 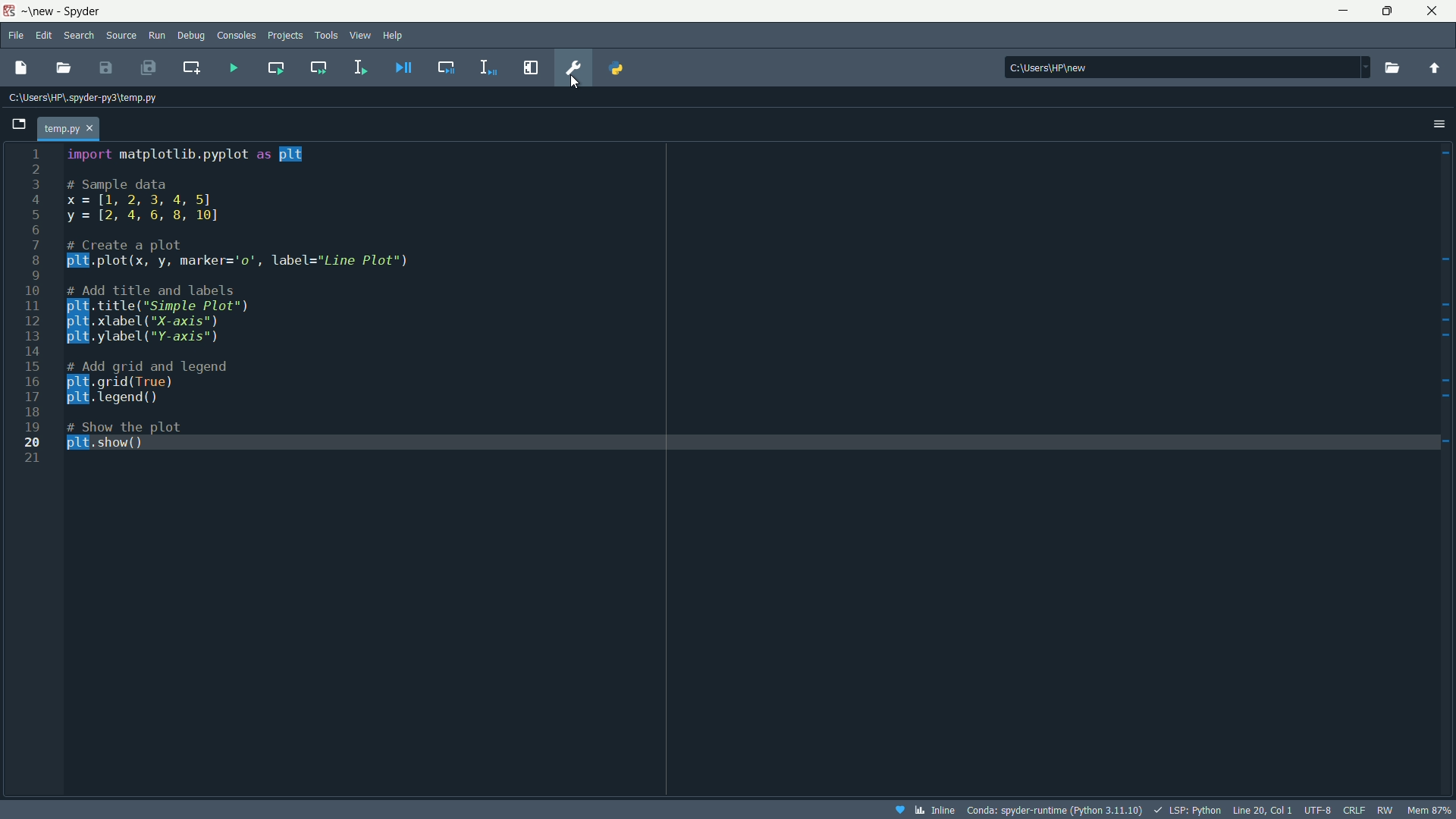 I want to click on cursor, so click(x=573, y=82).